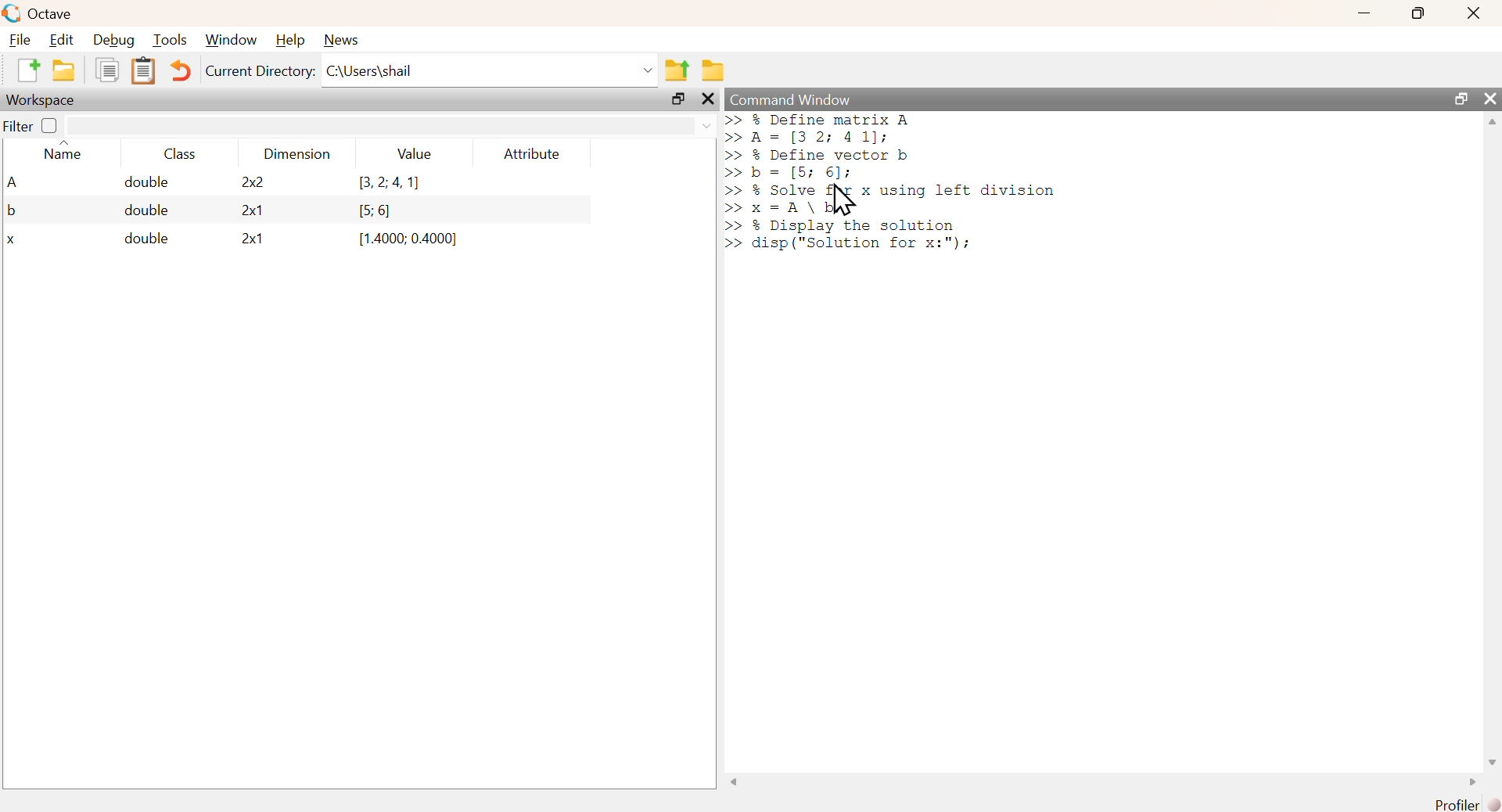 The height and width of the screenshot is (812, 1502). I want to click on (1.4000; 0.4000], so click(401, 240).